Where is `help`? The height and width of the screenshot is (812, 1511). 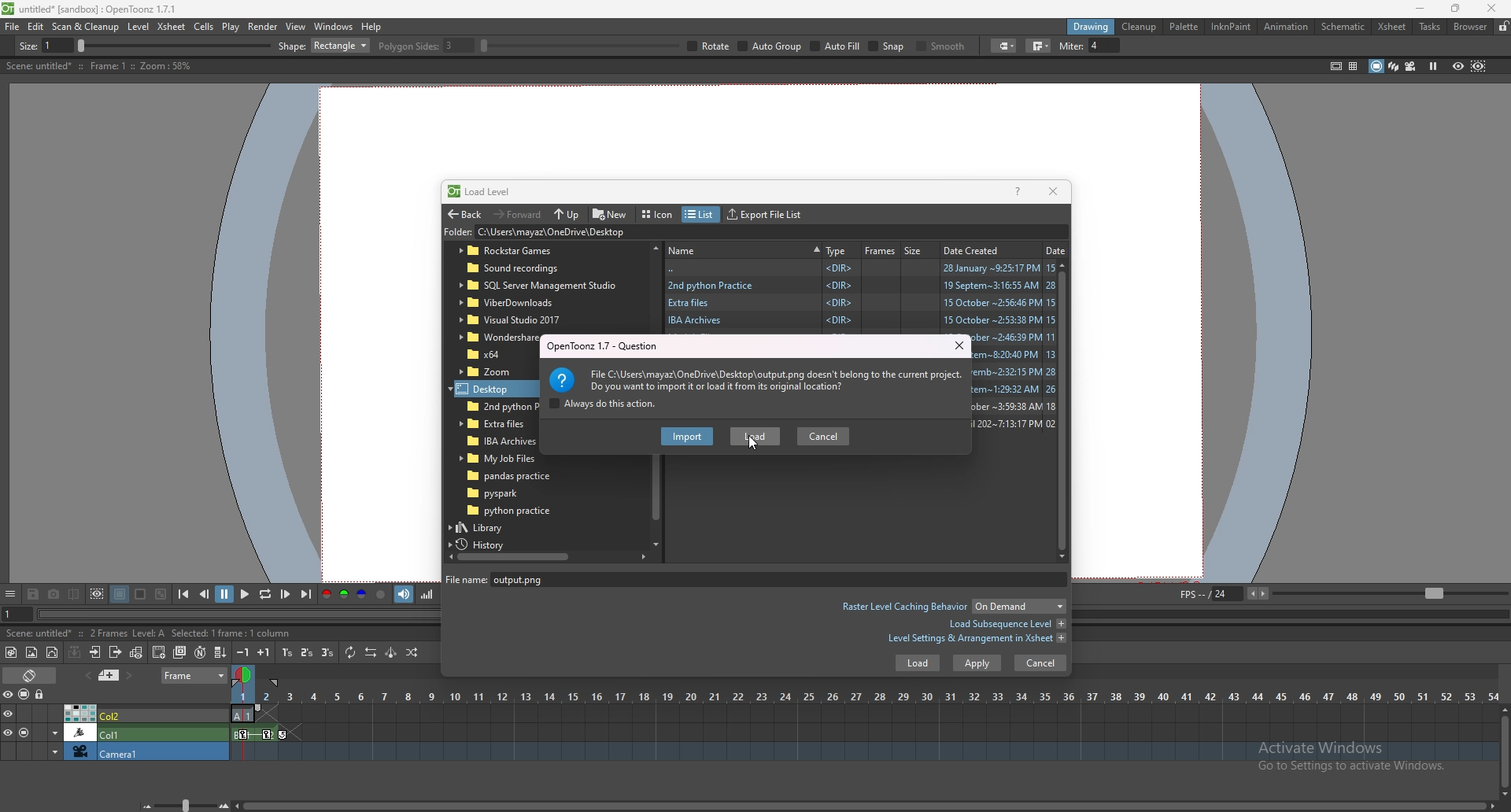 help is located at coordinates (371, 27).